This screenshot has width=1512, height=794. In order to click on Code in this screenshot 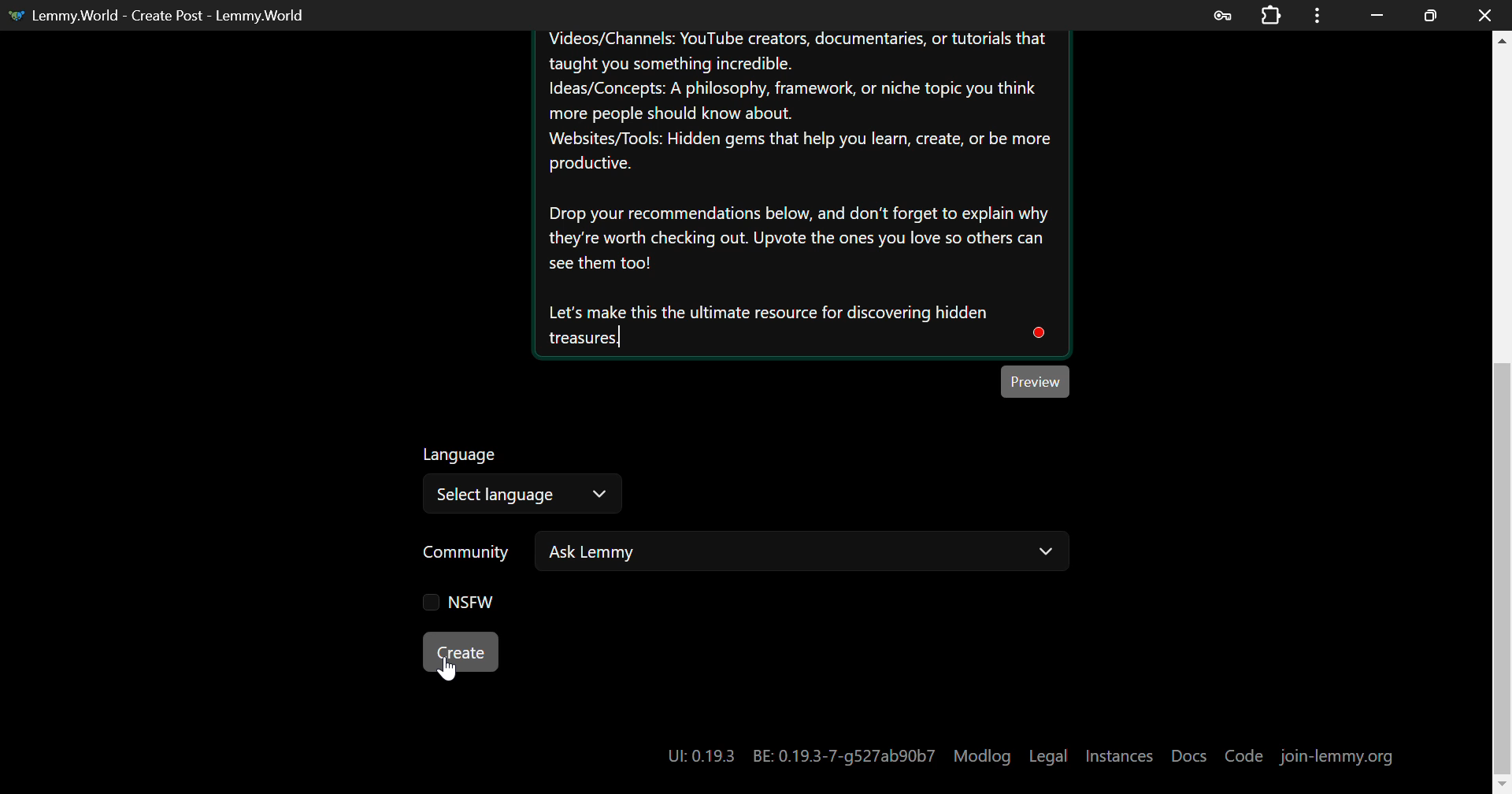, I will do `click(1244, 756)`.